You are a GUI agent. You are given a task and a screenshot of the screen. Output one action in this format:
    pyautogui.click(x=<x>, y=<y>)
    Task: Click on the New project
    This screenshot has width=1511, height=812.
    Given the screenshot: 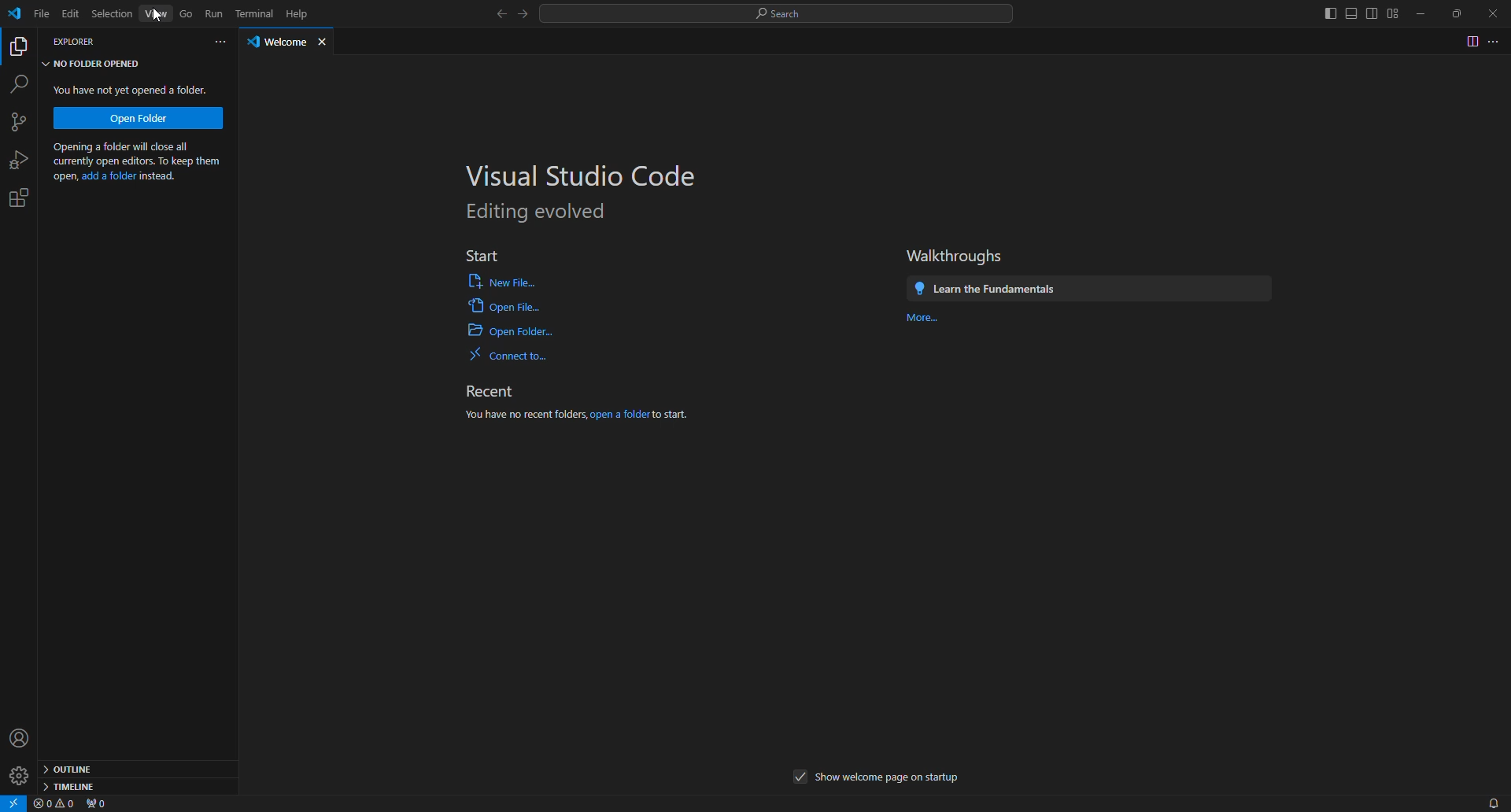 What is the action you would take?
    pyautogui.click(x=23, y=121)
    